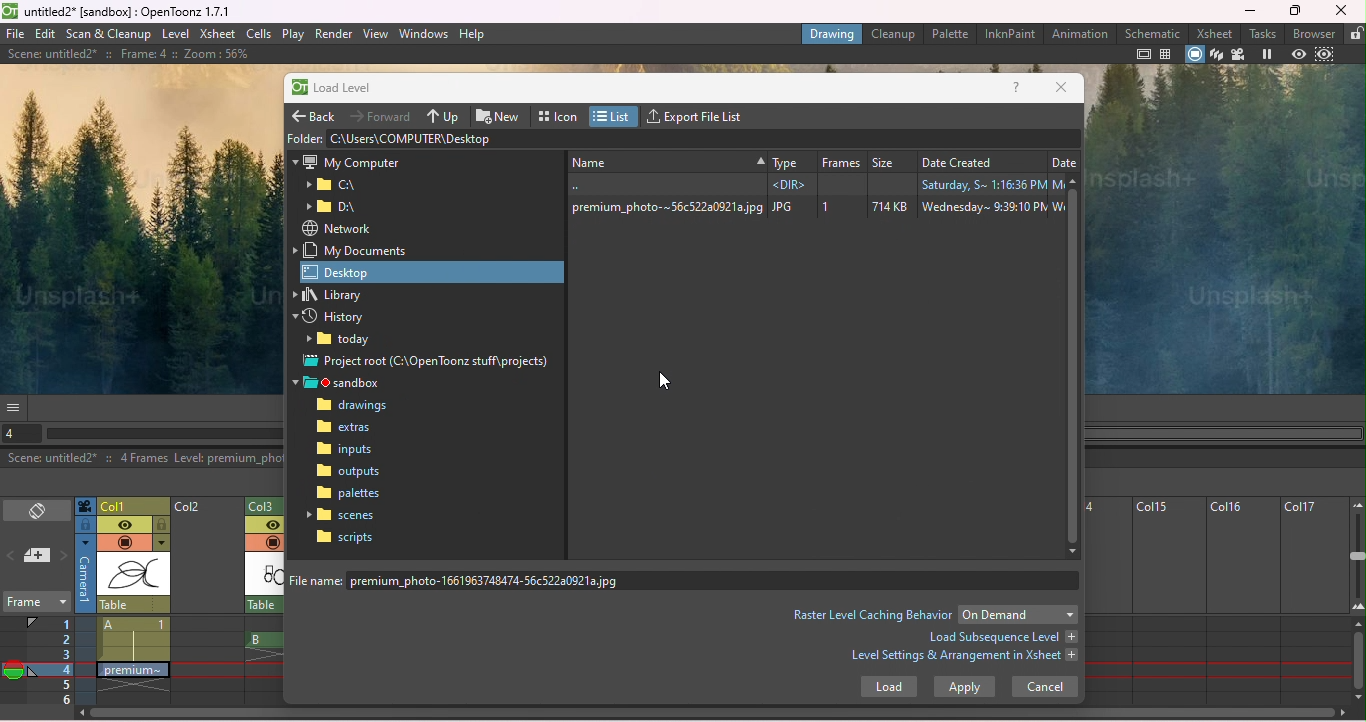  Describe the element at coordinates (38, 512) in the screenshot. I see `Toggle Xsheet/Timeline` at that location.